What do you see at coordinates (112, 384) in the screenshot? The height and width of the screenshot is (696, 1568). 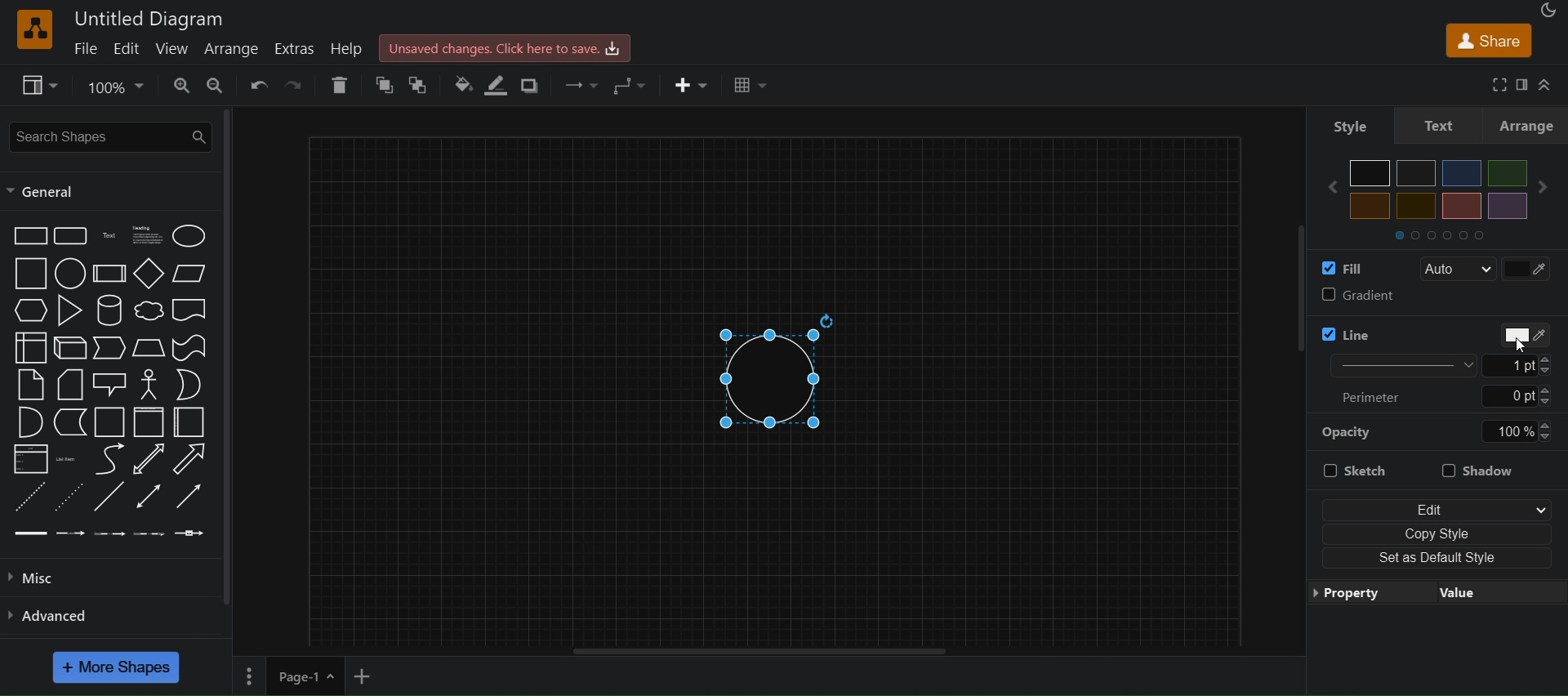 I see `callout` at bounding box center [112, 384].